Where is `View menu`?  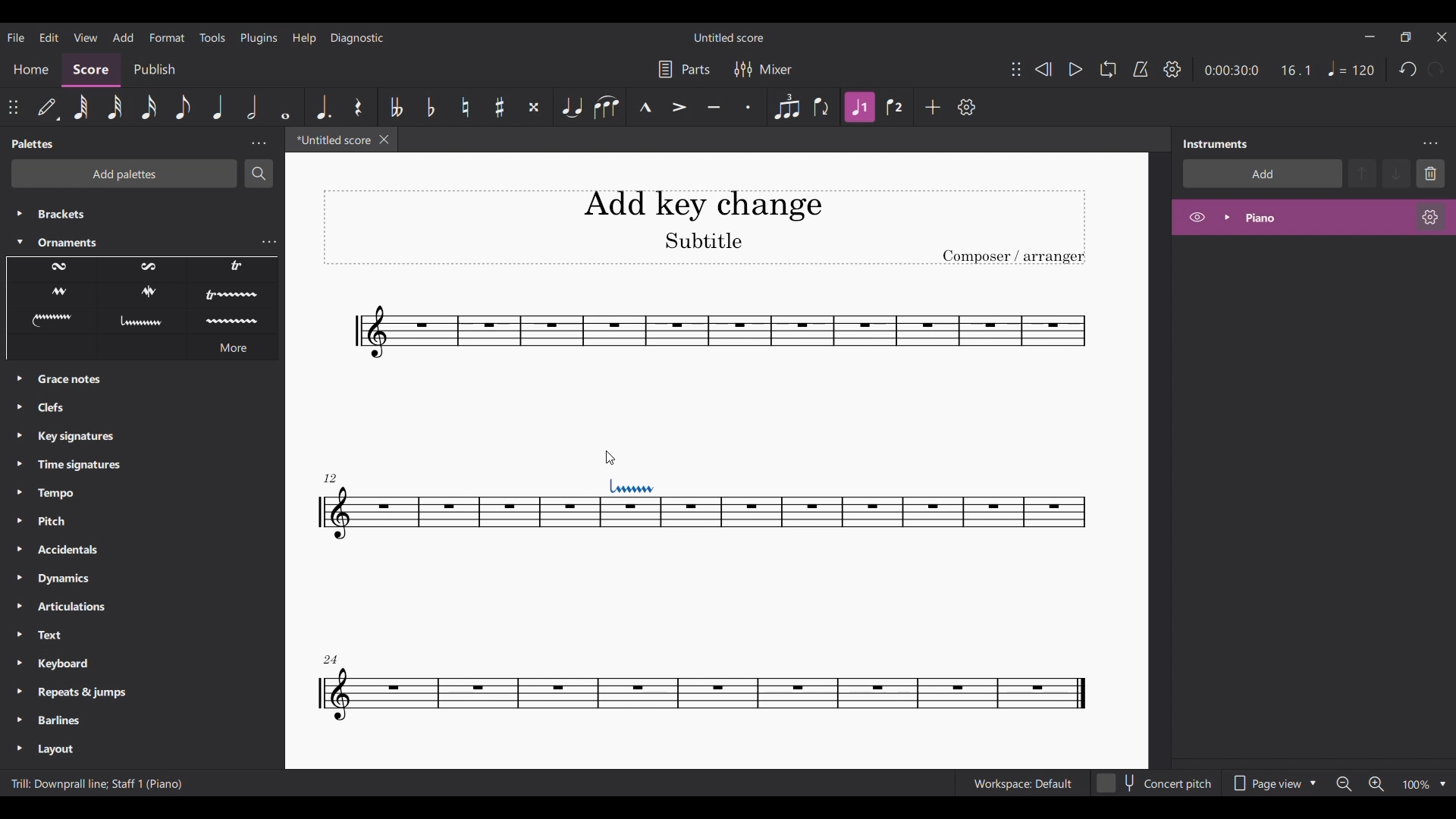 View menu is located at coordinates (85, 36).